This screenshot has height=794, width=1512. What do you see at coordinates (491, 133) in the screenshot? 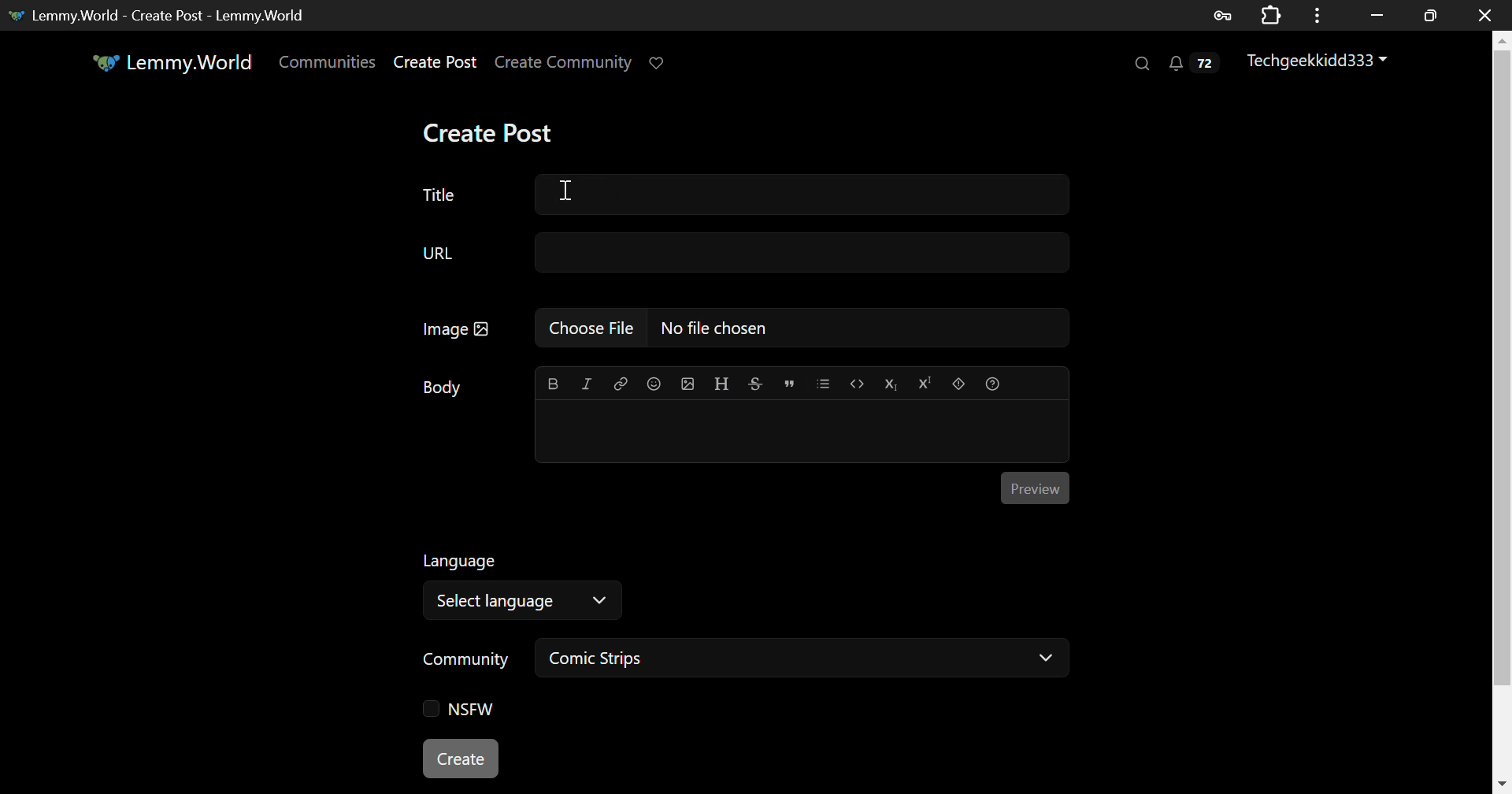
I see `Create Post` at bounding box center [491, 133].